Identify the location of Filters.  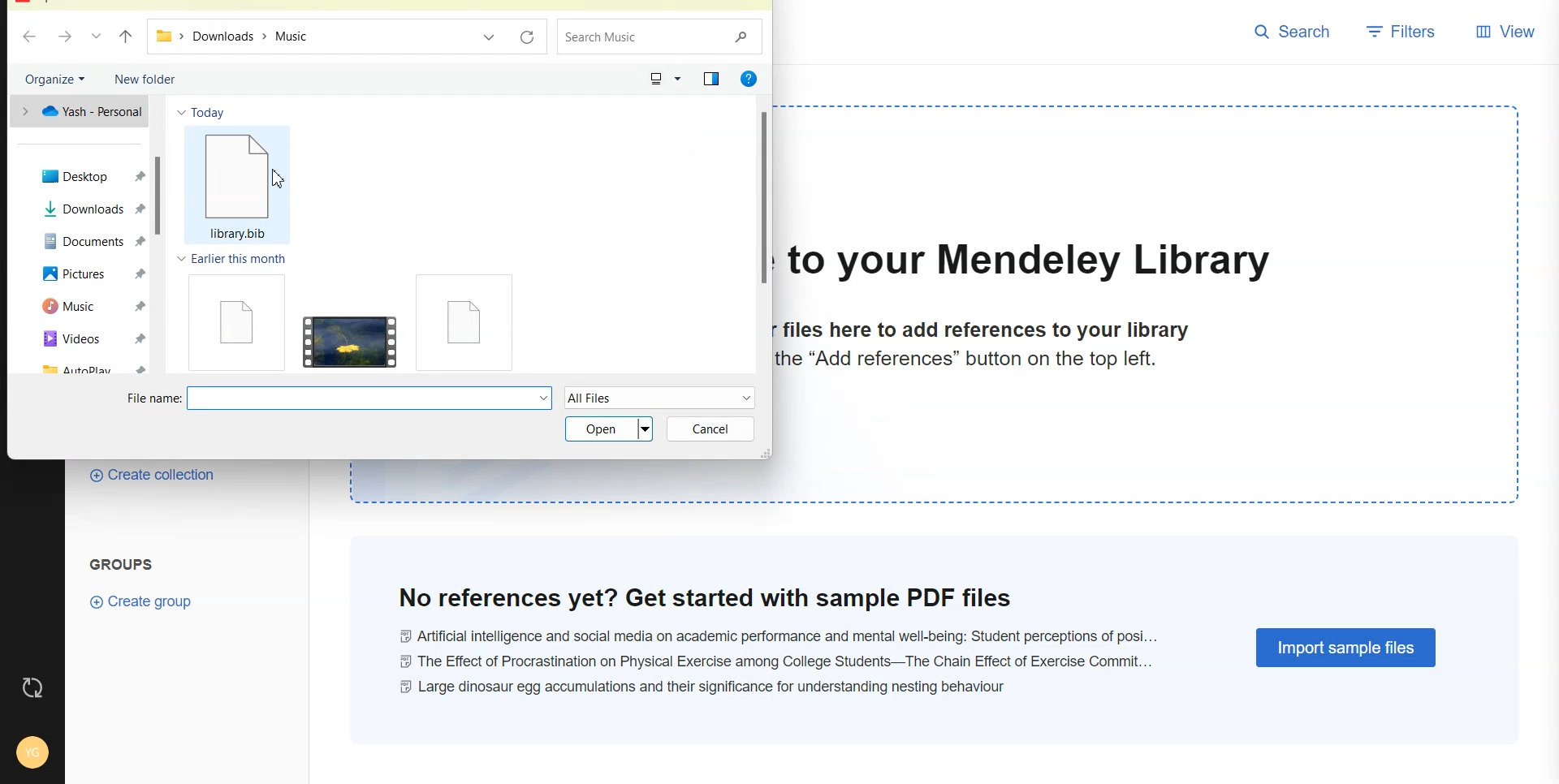
(1400, 32).